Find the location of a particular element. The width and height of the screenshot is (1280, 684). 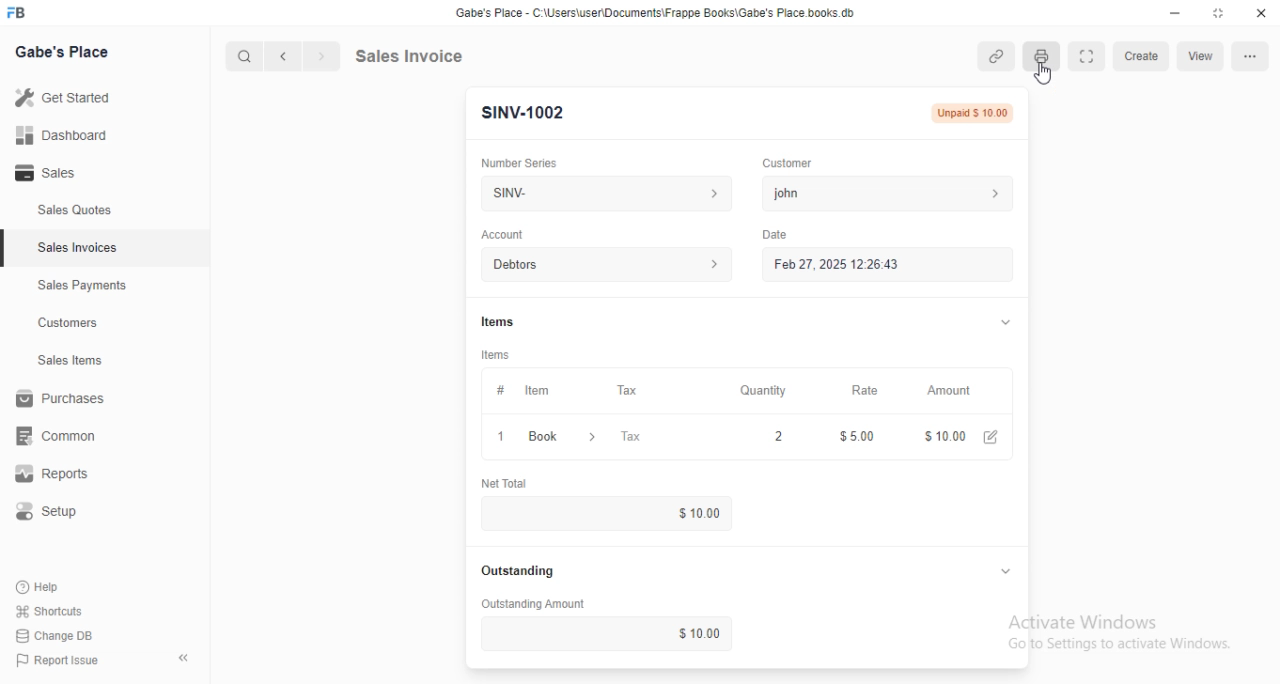

sales invoice is located at coordinates (410, 55).